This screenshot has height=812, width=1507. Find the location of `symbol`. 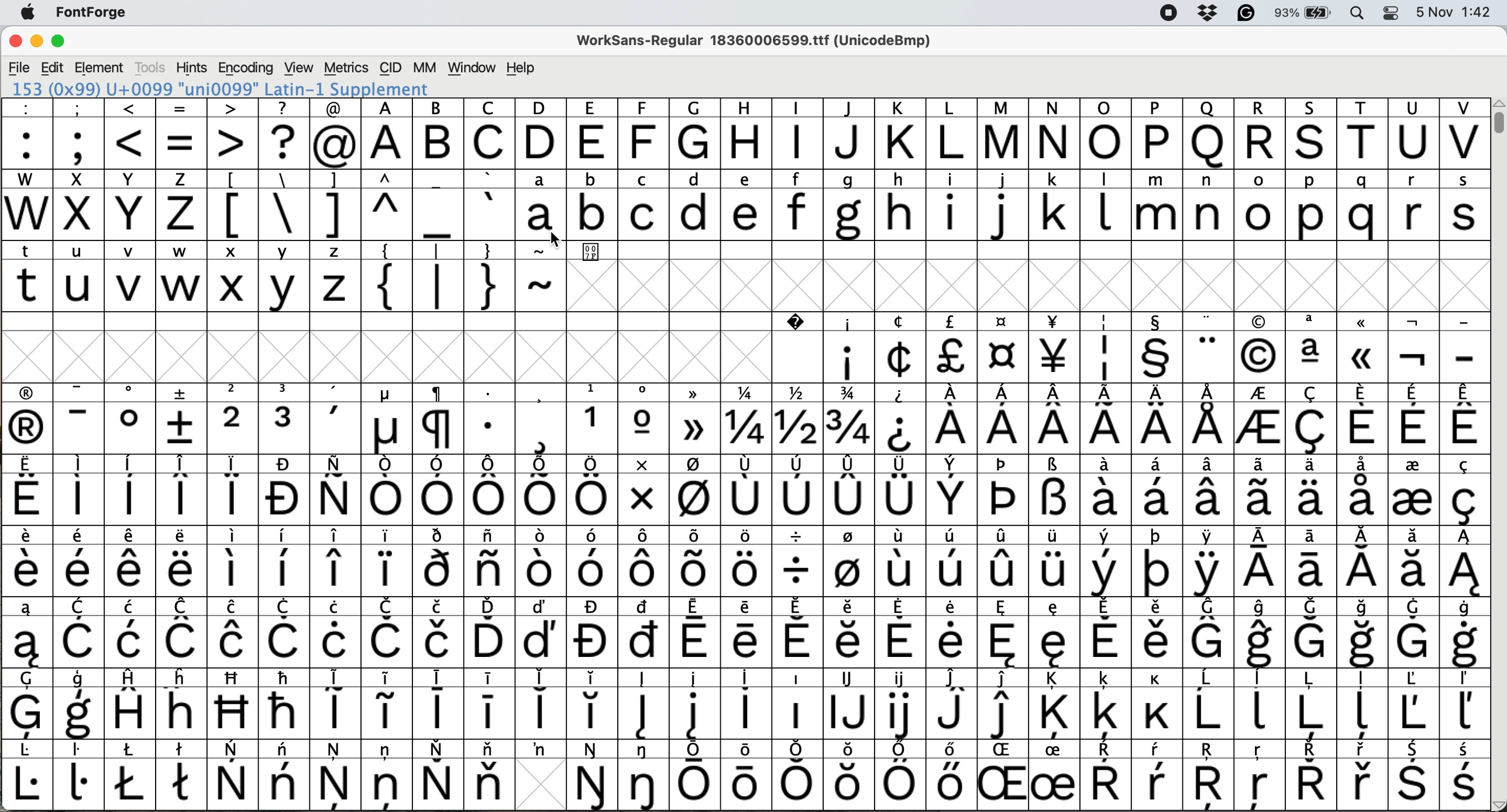

symbol is located at coordinates (1054, 776).